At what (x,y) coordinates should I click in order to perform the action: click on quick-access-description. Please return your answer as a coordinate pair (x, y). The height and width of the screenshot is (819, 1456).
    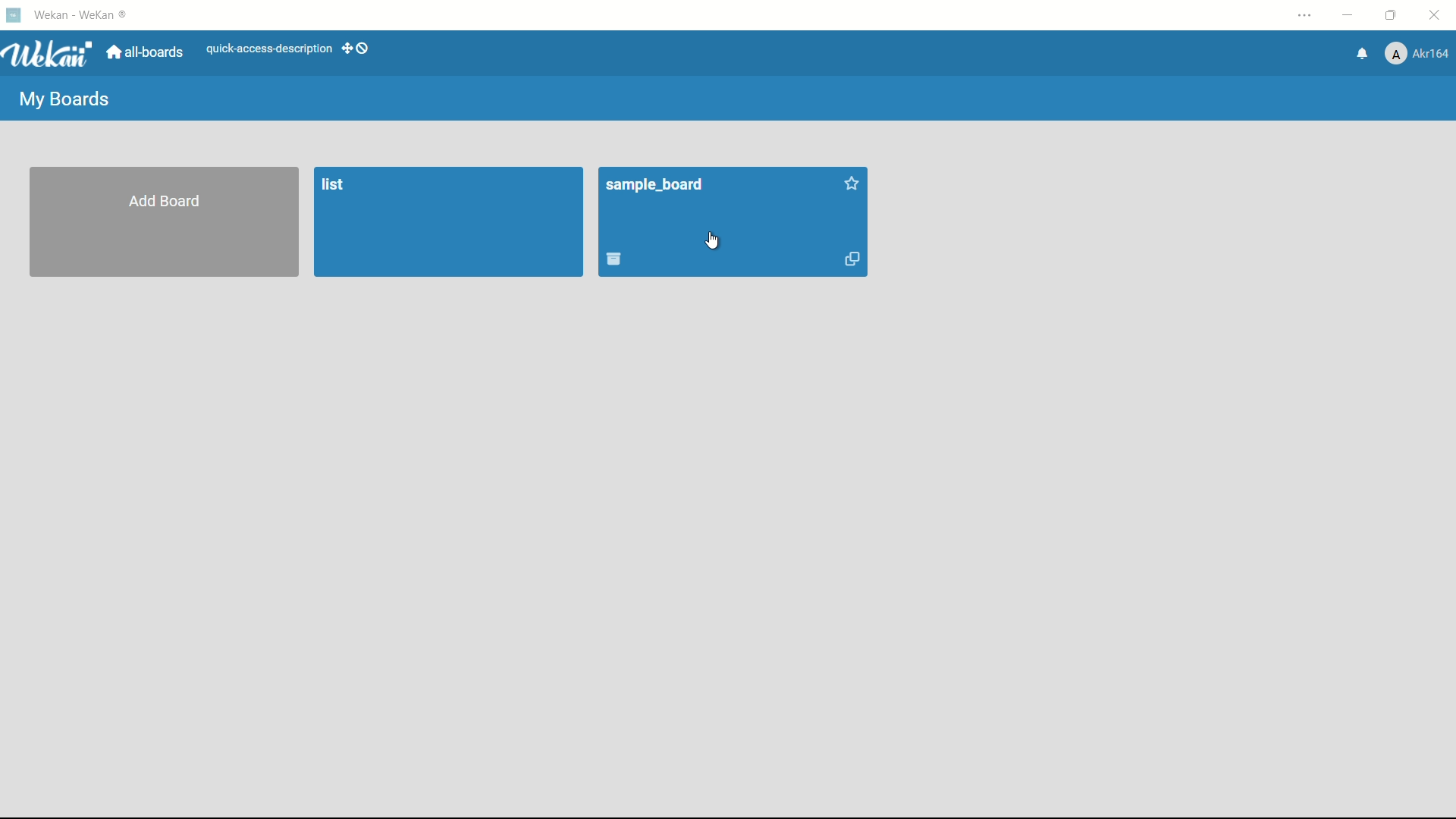
    Looking at the image, I should click on (270, 50).